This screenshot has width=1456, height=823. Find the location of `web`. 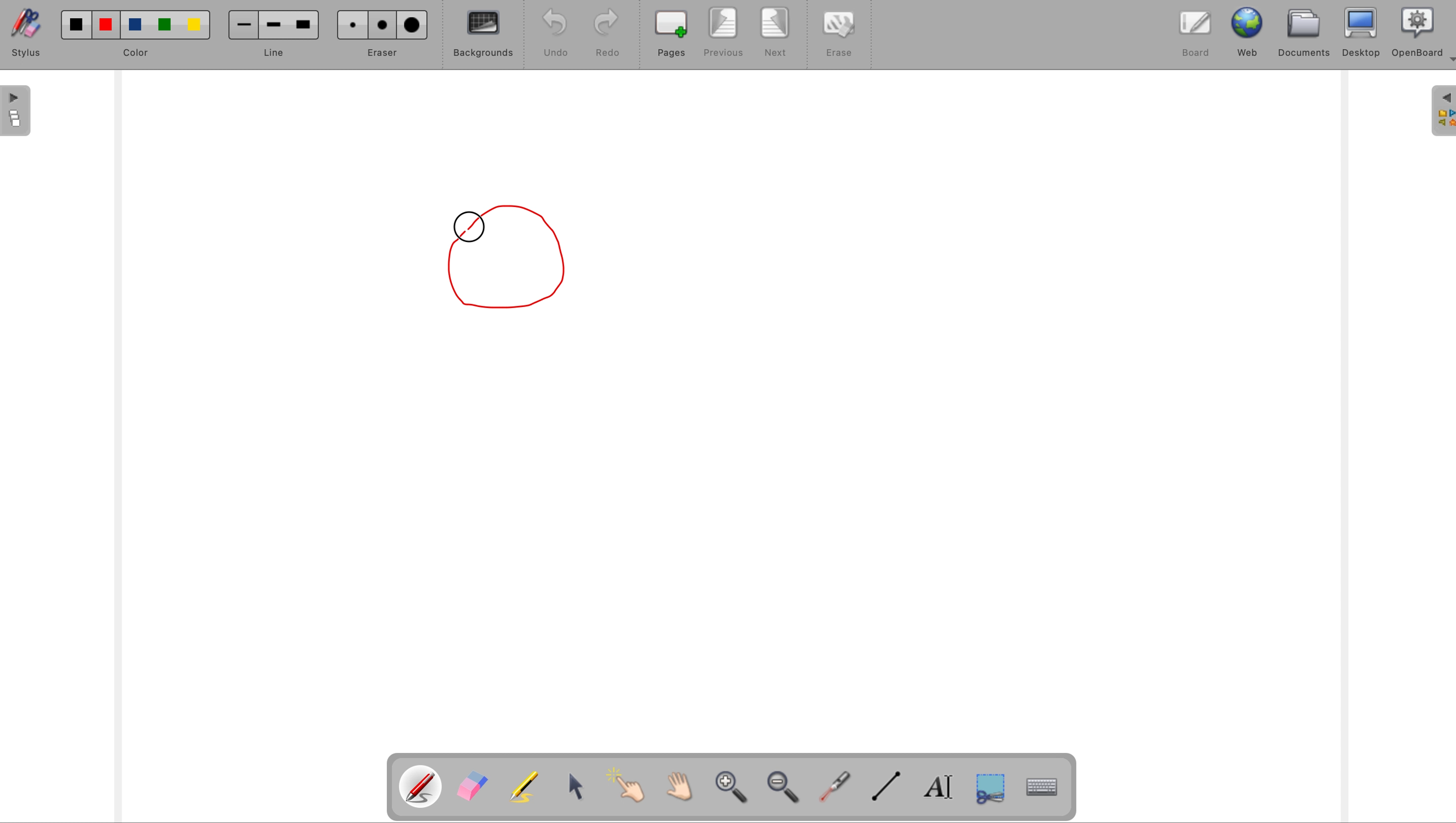

web is located at coordinates (1246, 34).